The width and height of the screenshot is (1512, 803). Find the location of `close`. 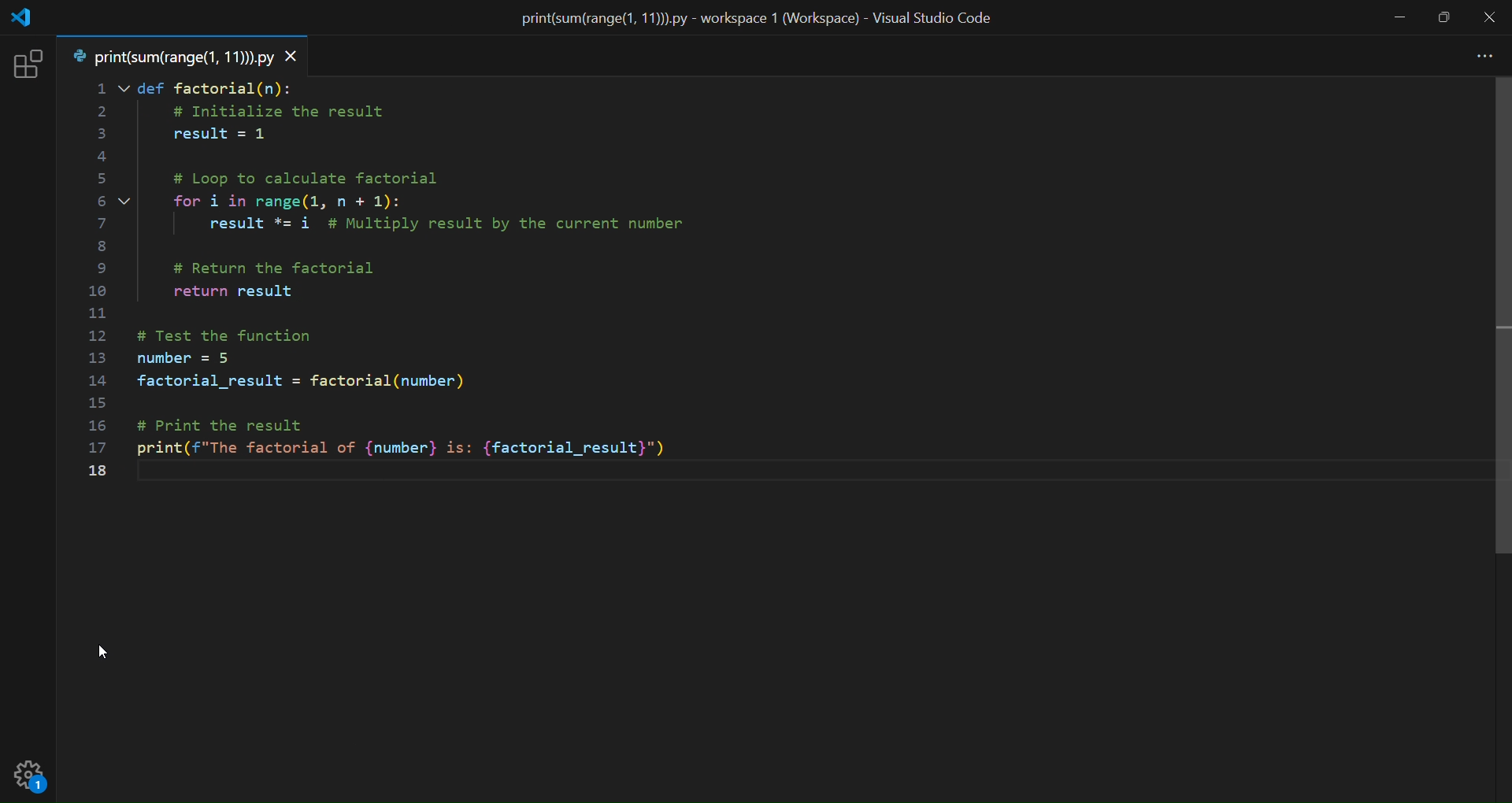

close is located at coordinates (1488, 18).